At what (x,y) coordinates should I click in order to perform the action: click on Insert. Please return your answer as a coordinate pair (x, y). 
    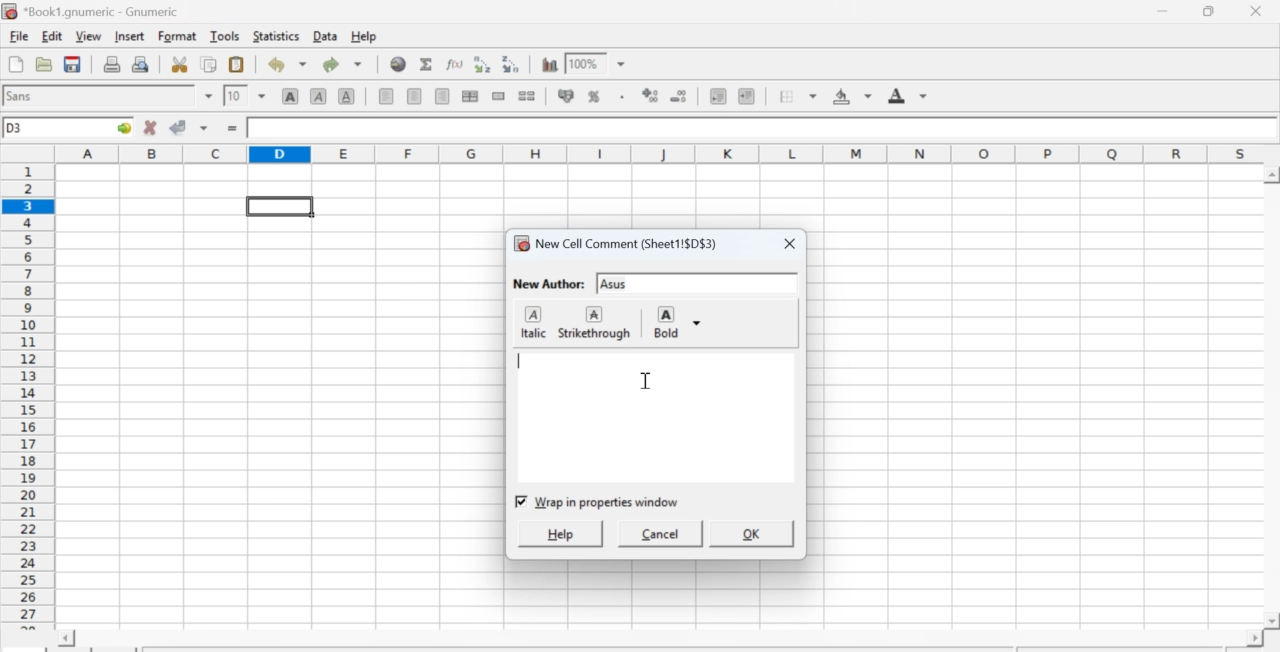
    Looking at the image, I should click on (130, 35).